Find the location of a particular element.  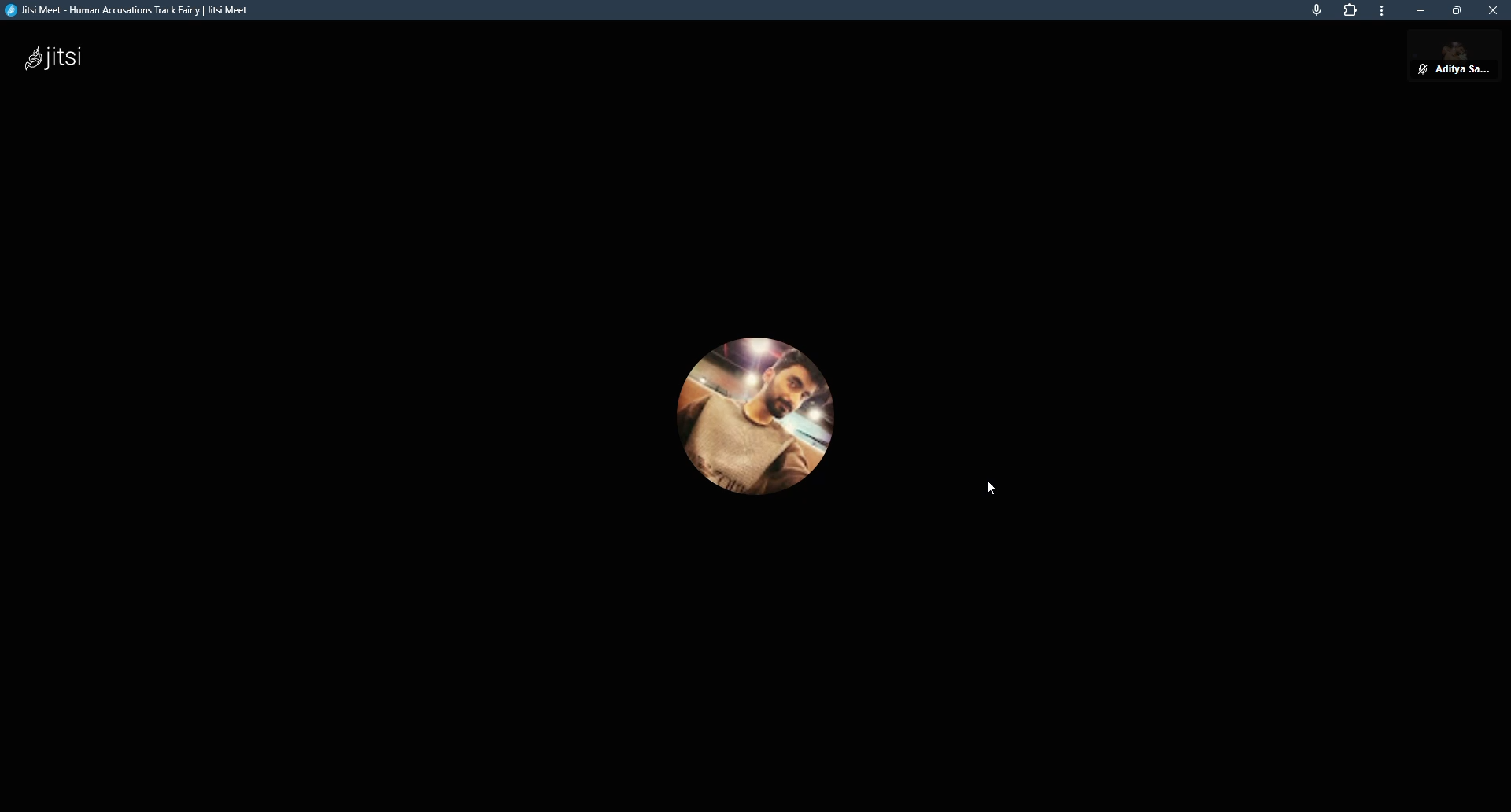

unmute is located at coordinates (1418, 68).